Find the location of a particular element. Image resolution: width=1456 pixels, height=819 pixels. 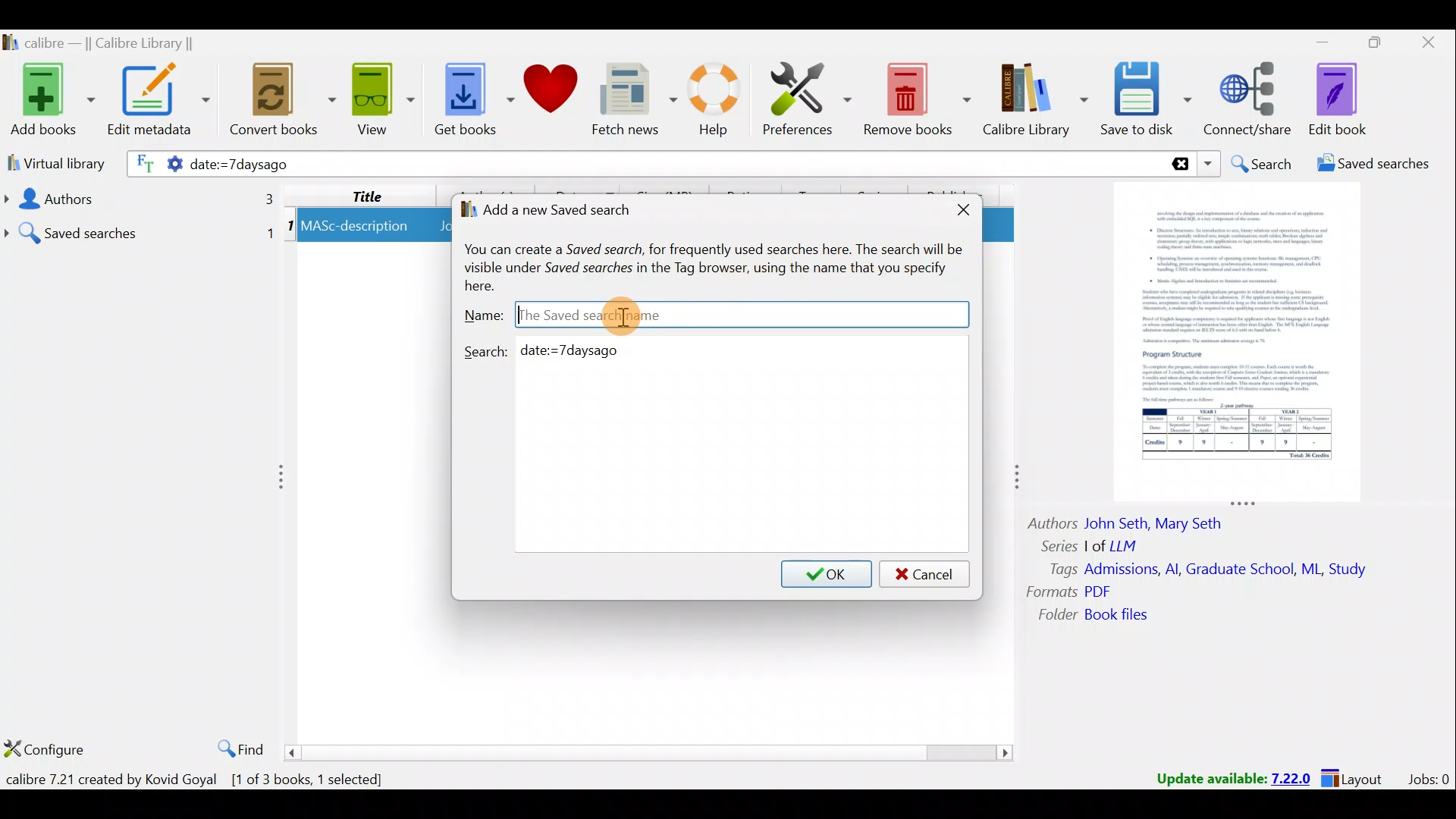

Close is located at coordinates (1426, 45).